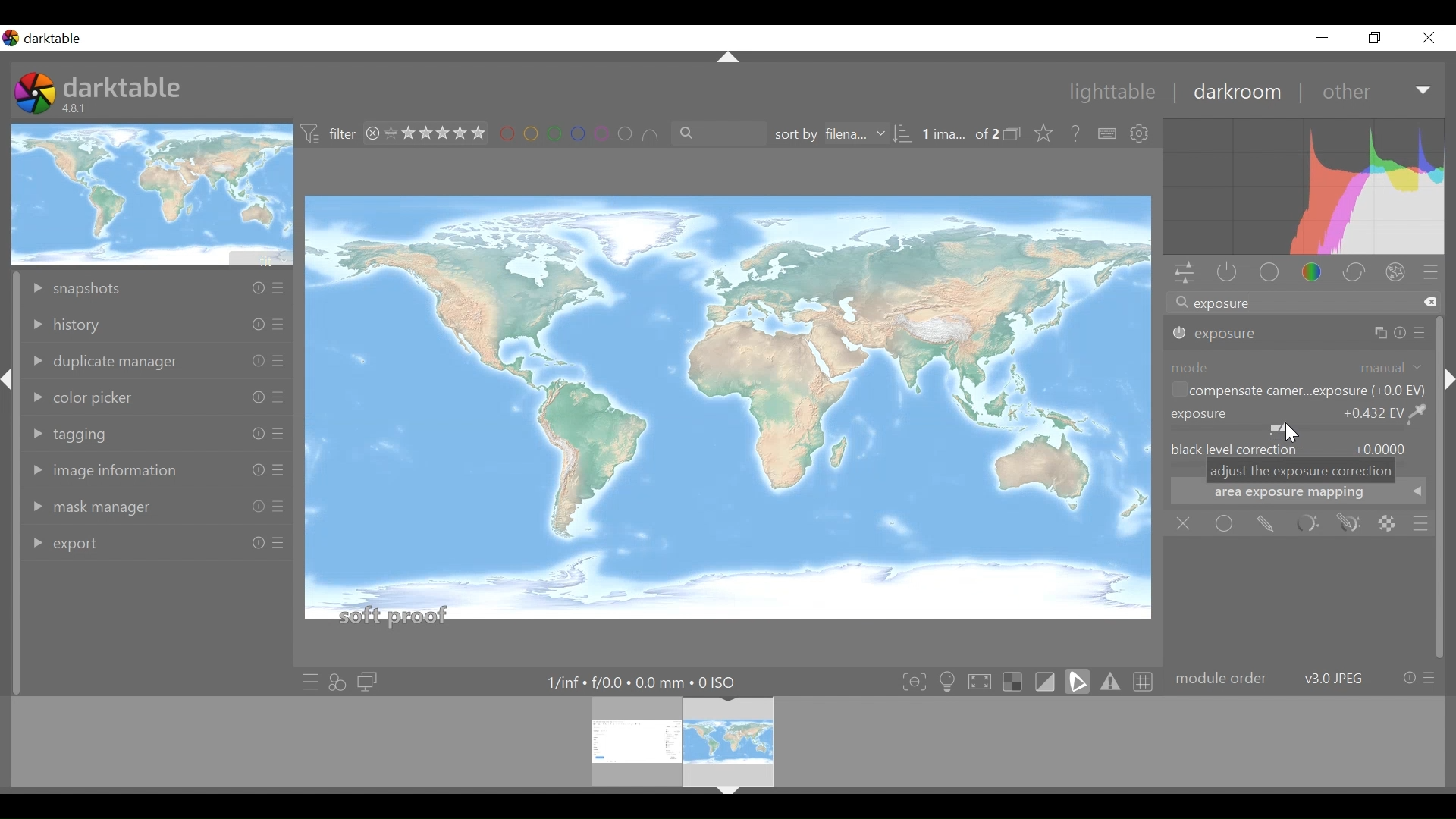  Describe the element at coordinates (727, 414) in the screenshot. I see `main editing area` at that location.